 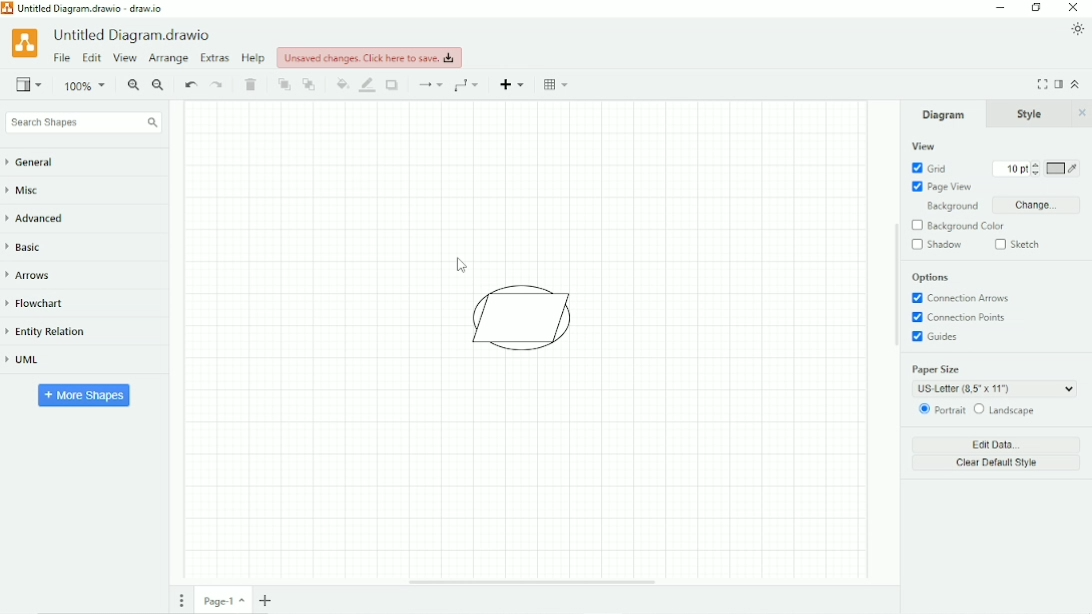 I want to click on Zoom out, so click(x=159, y=86).